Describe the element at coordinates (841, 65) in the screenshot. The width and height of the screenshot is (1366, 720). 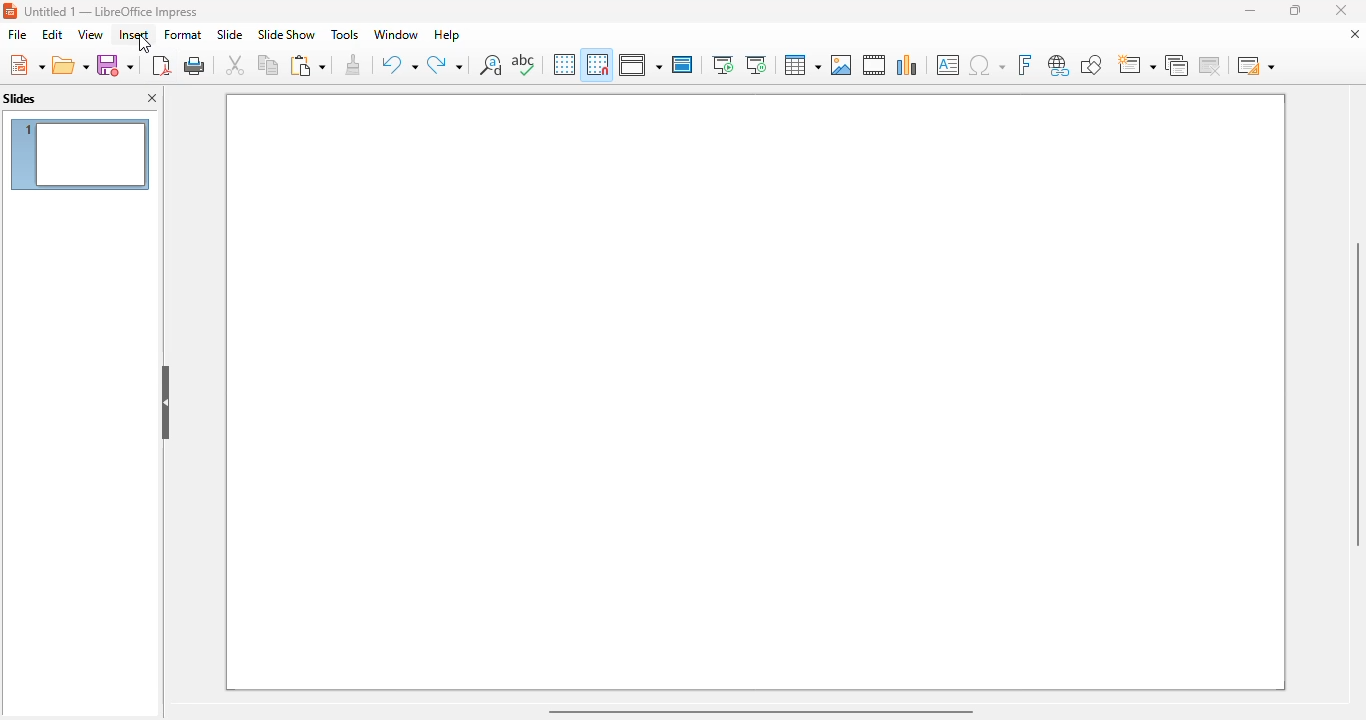
I see `insert image` at that location.